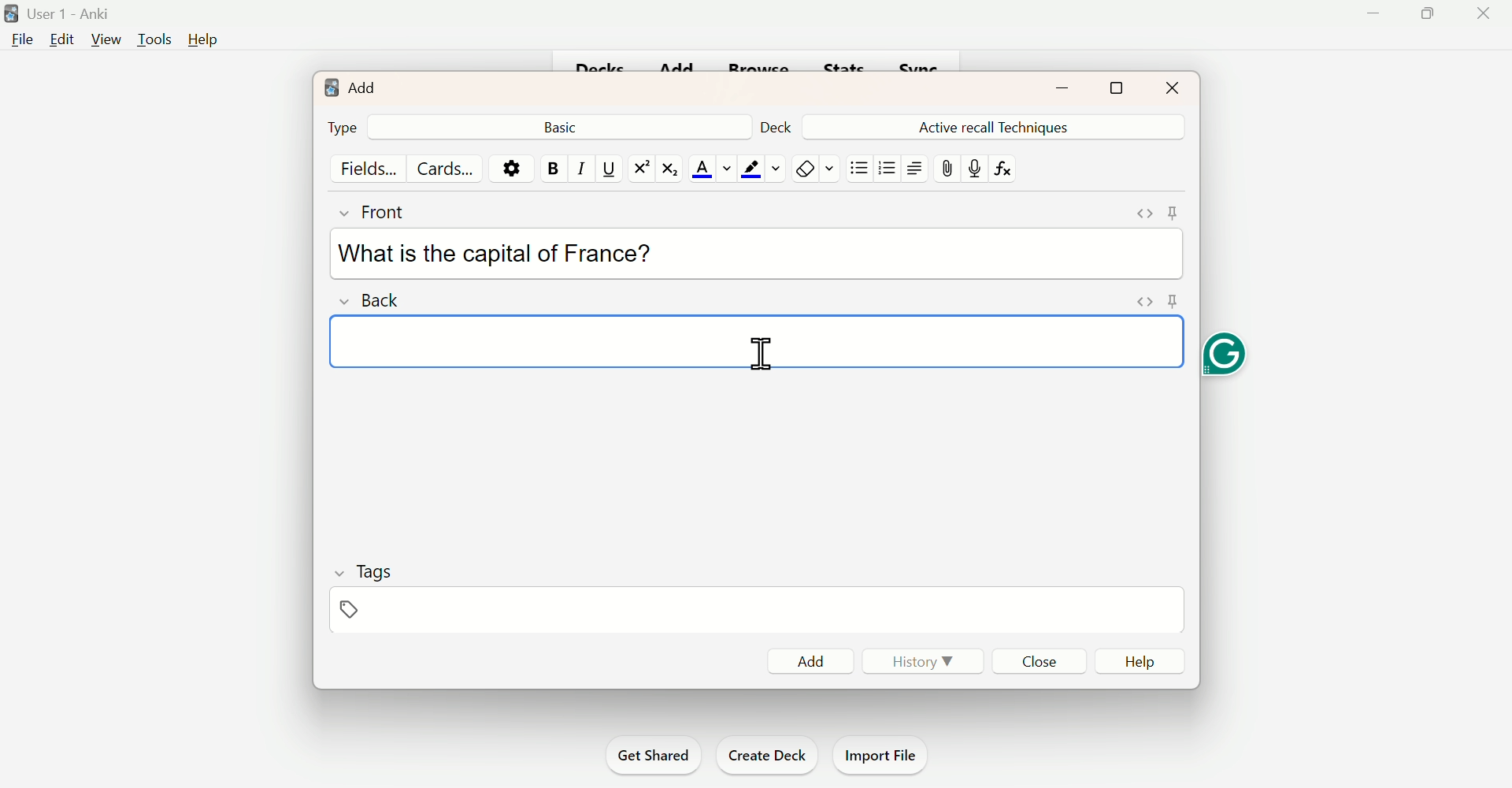  Describe the element at coordinates (998, 125) in the screenshot. I see `Active Recall Techniques` at that location.